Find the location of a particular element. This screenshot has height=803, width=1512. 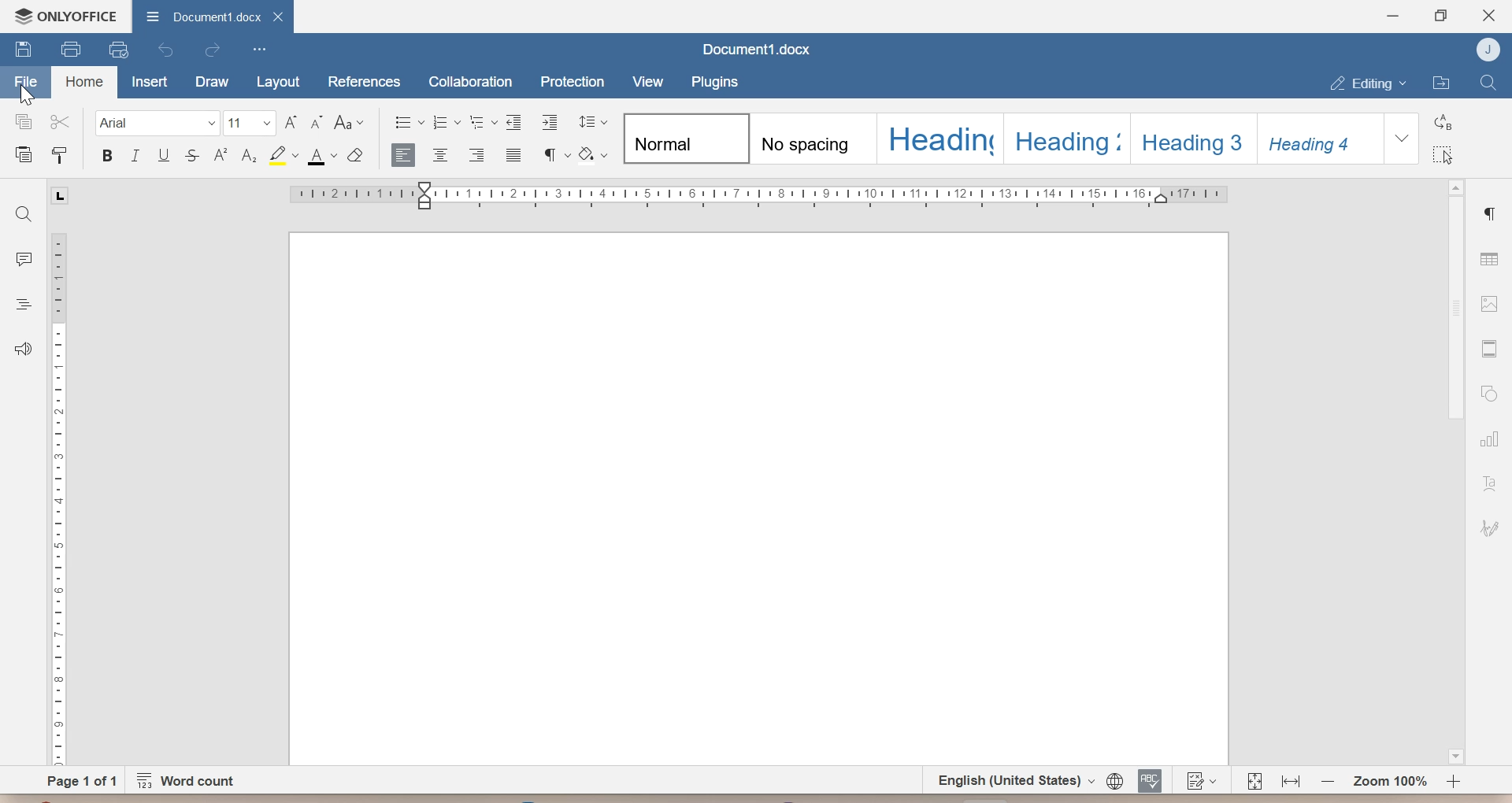

charts is located at coordinates (1493, 439).